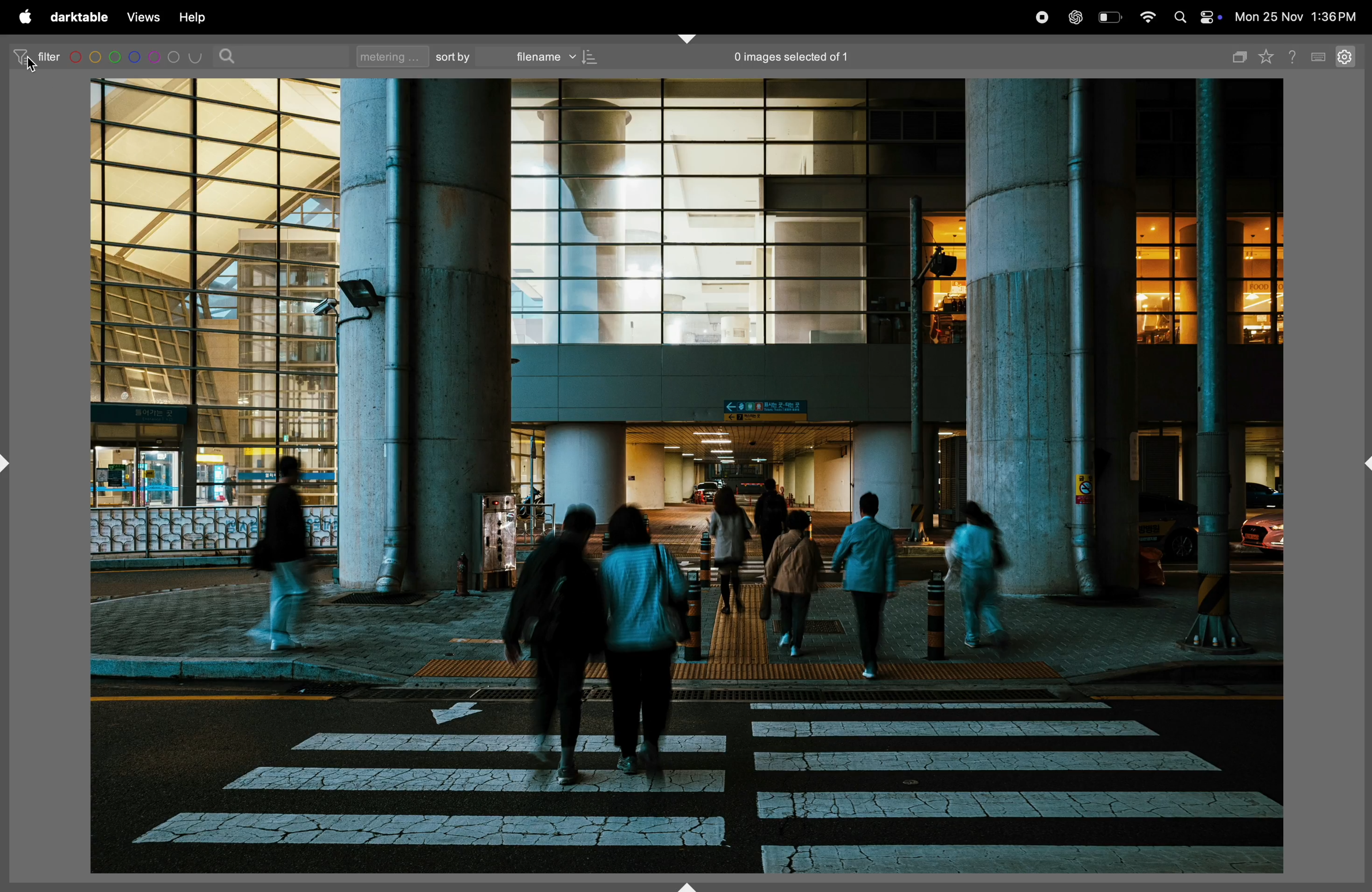  I want to click on apple widgets, so click(1209, 17).